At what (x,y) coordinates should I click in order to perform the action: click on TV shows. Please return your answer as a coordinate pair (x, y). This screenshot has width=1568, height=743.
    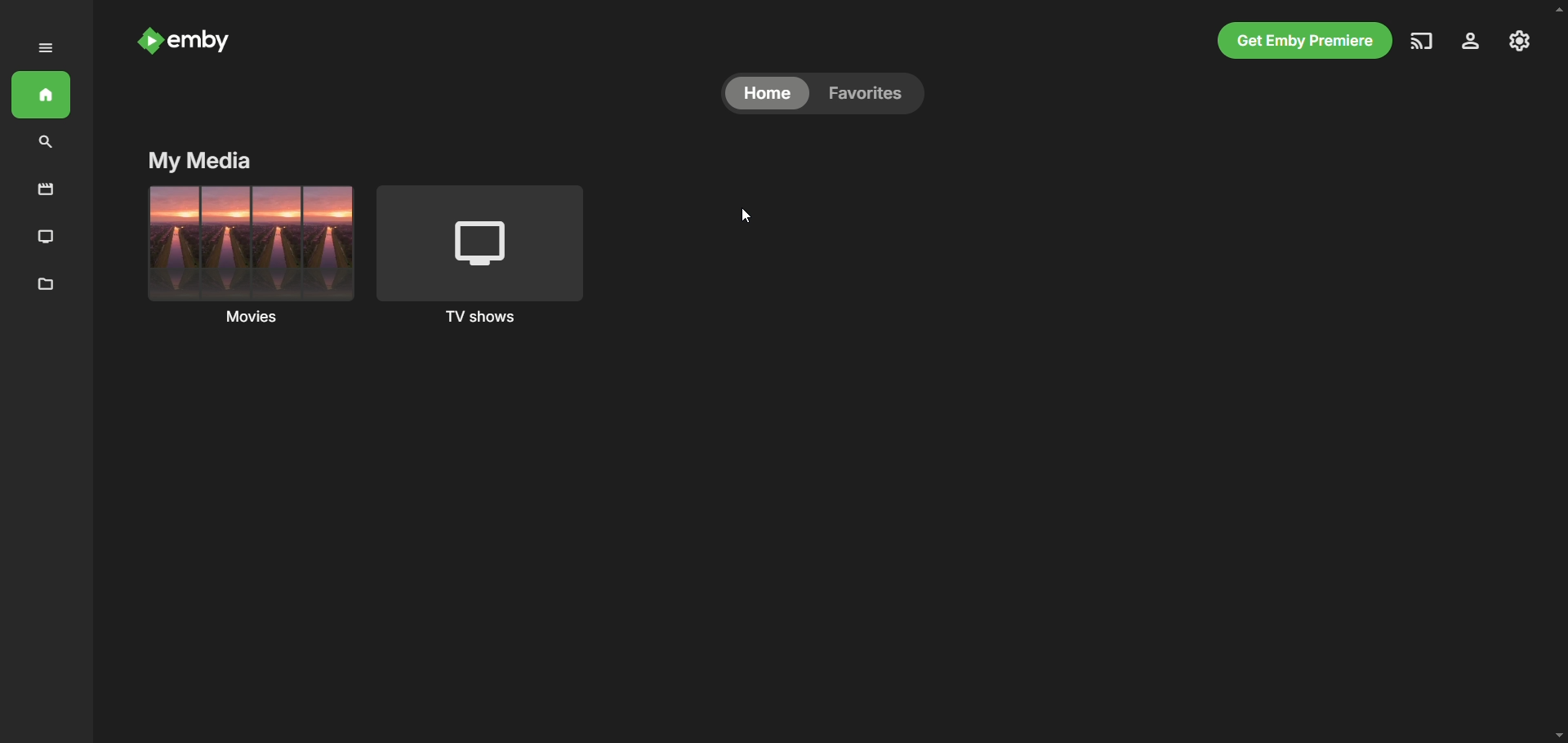
    Looking at the image, I should click on (488, 254).